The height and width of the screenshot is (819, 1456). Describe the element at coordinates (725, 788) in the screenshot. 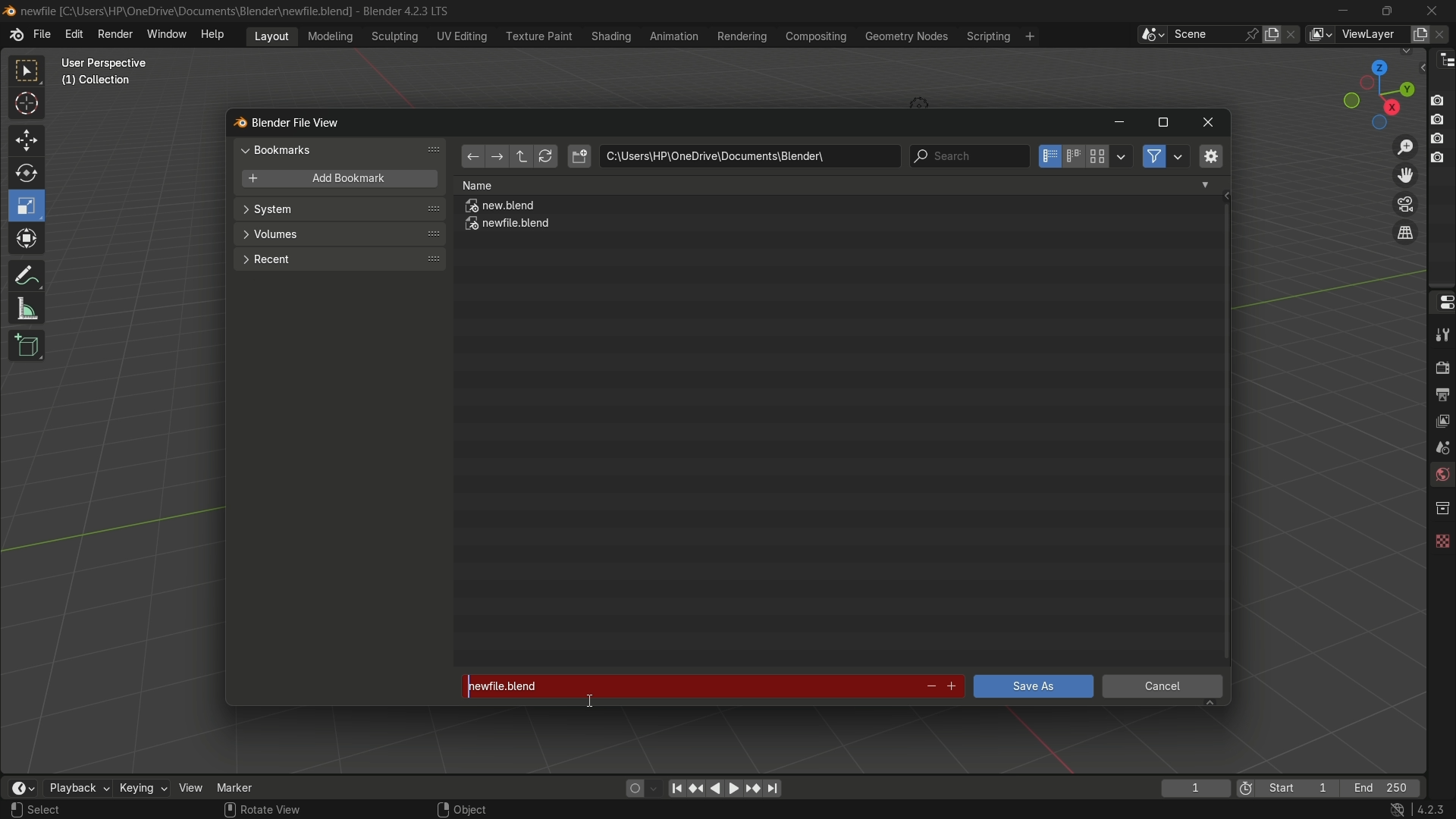

I see `play animation` at that location.